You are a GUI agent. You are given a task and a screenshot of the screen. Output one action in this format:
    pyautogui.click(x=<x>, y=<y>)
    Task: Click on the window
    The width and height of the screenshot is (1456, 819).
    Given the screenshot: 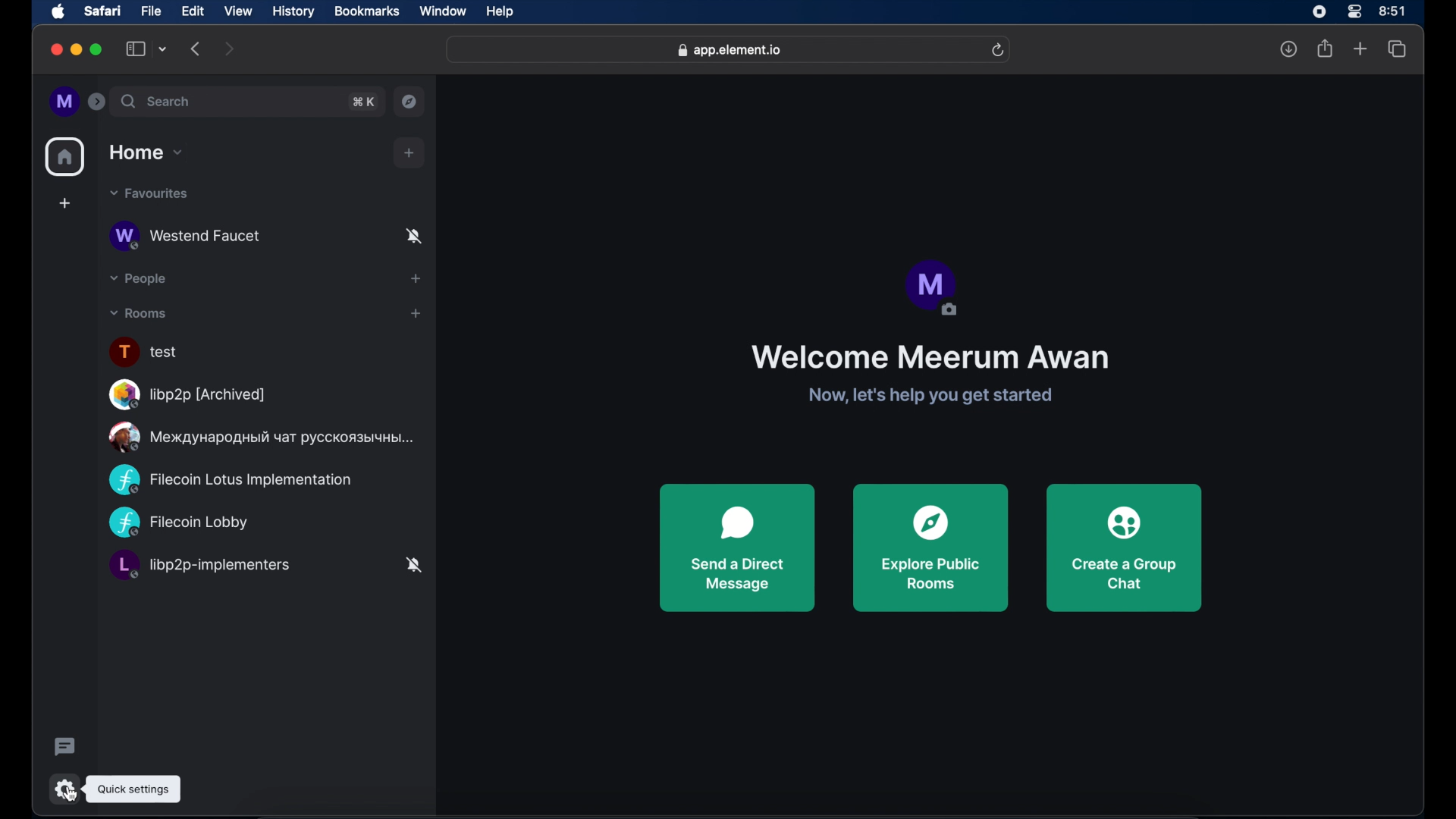 What is the action you would take?
    pyautogui.click(x=443, y=11)
    